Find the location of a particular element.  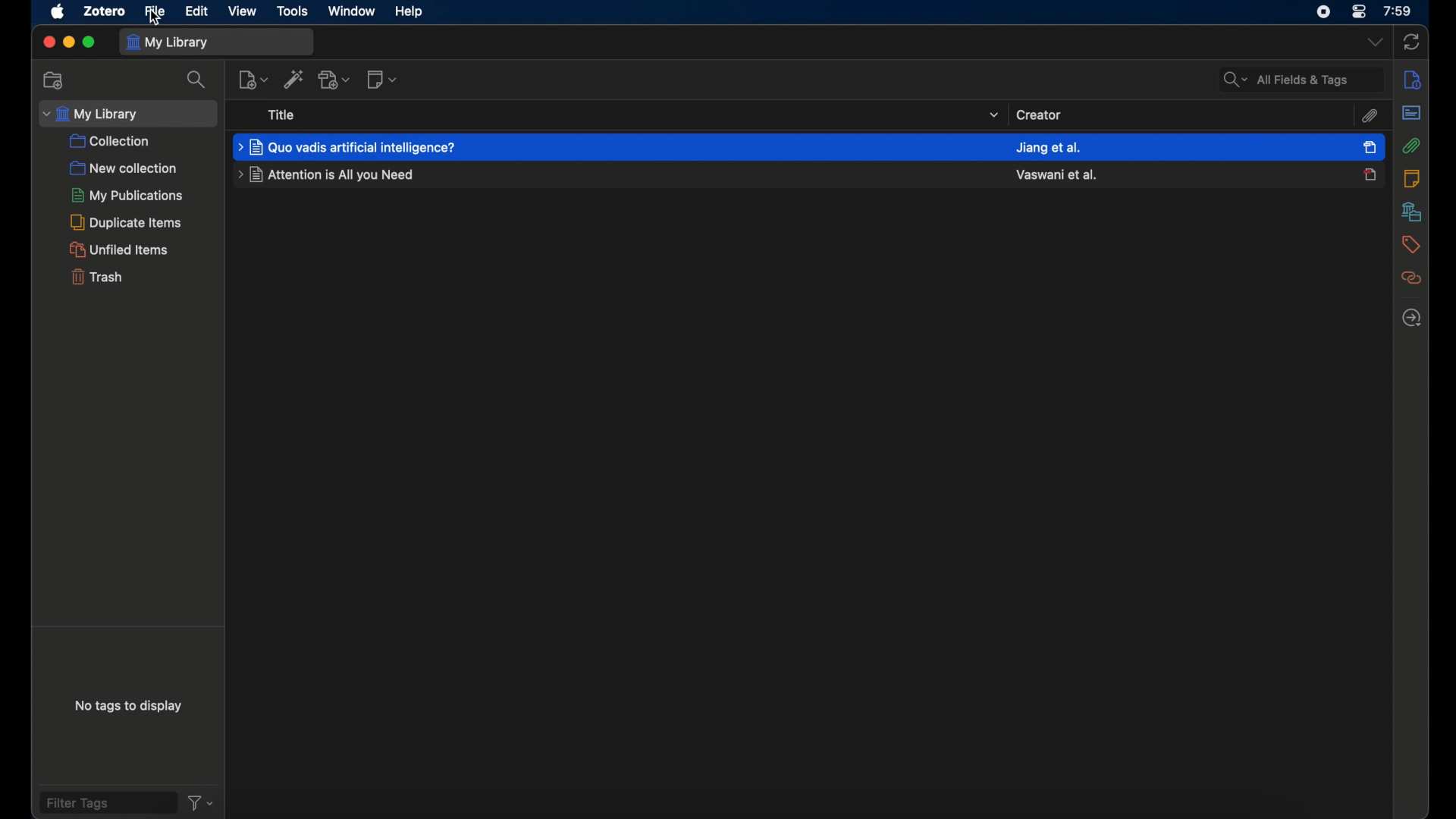

add attachment is located at coordinates (336, 80).